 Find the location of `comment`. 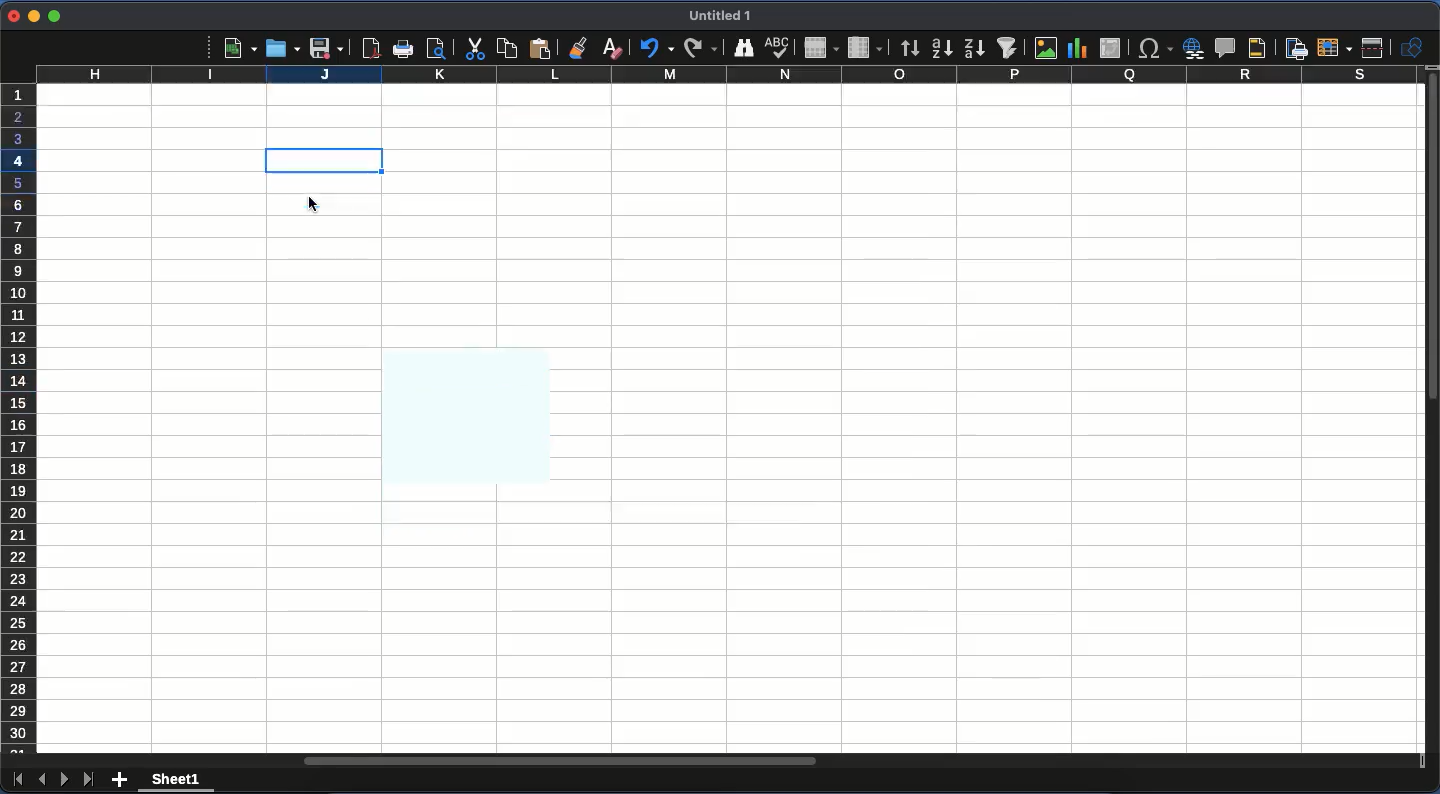

comment is located at coordinates (1226, 47).